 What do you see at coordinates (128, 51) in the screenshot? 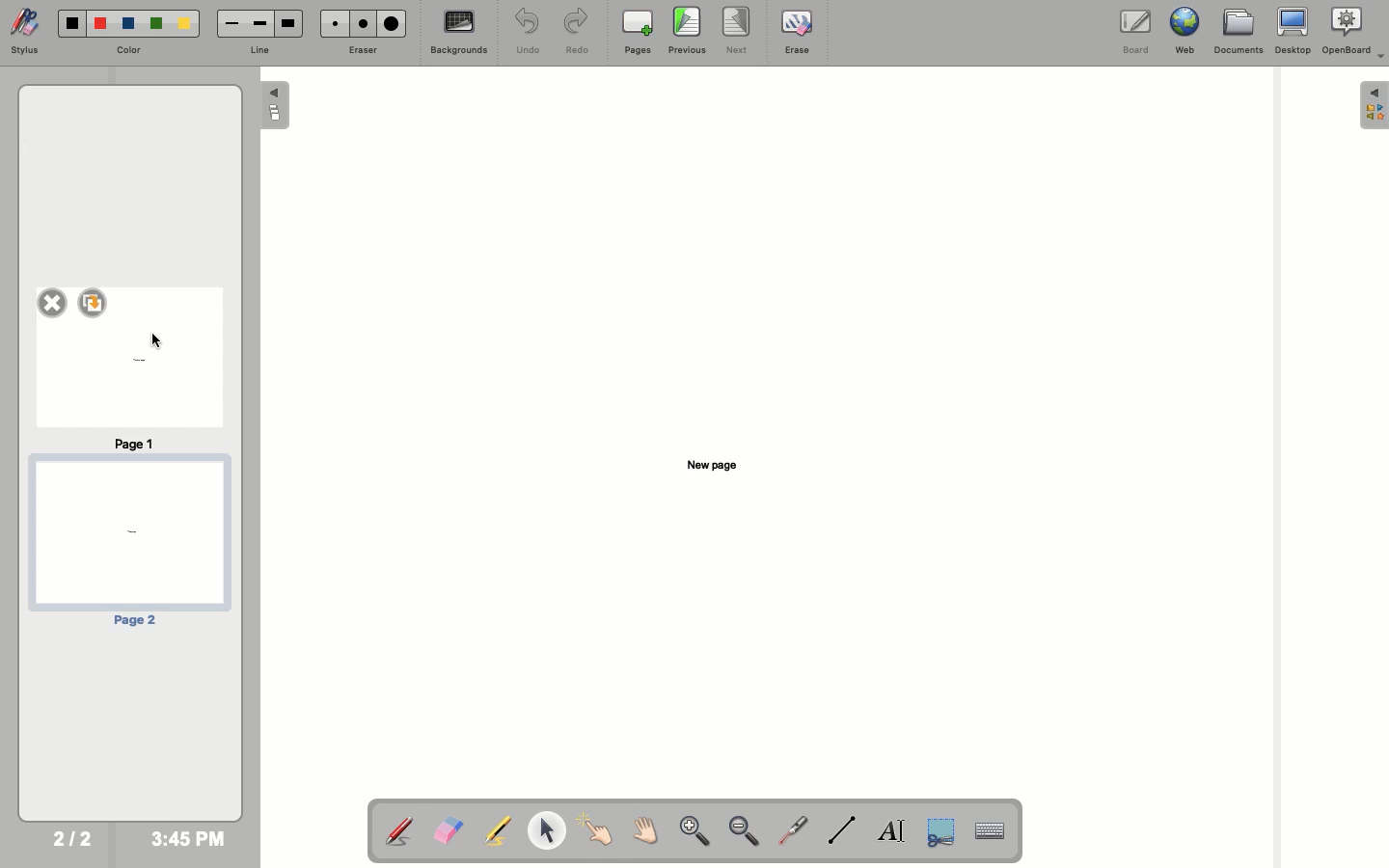
I see `Color` at bounding box center [128, 51].